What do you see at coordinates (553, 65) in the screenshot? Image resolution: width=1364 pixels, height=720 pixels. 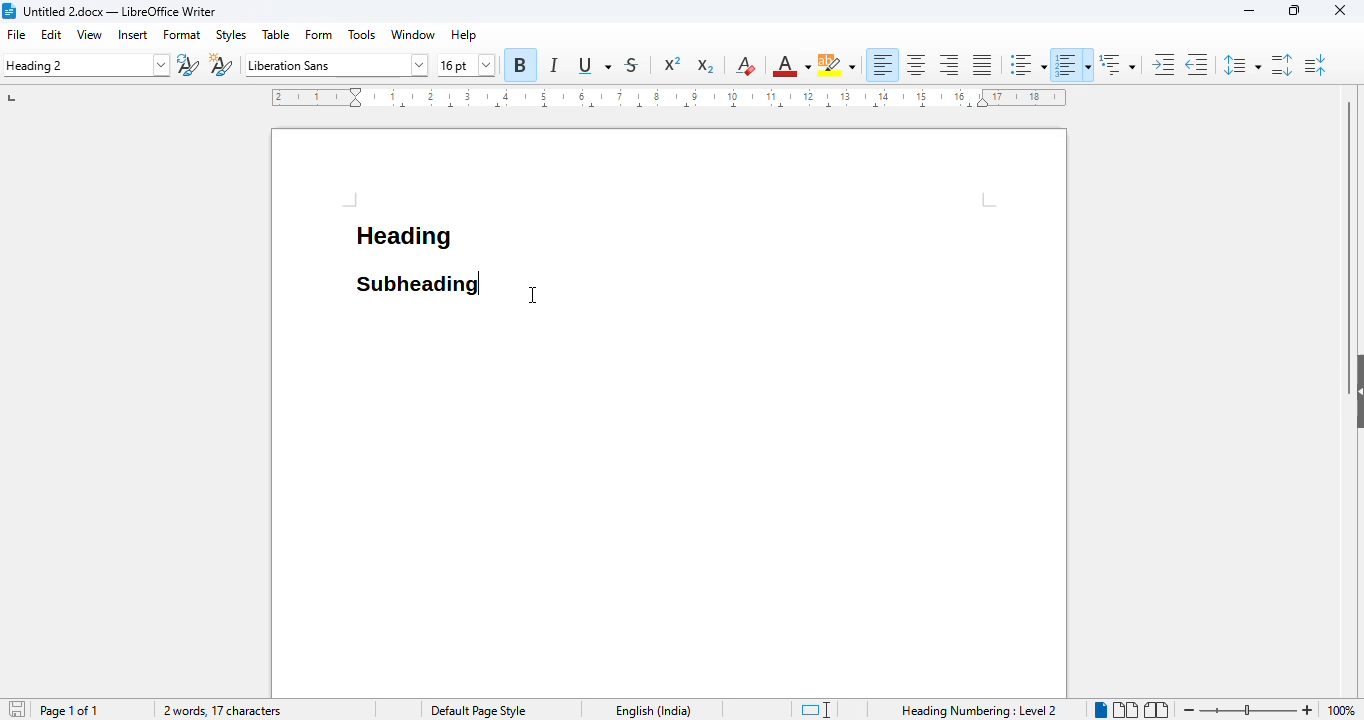 I see `italic` at bounding box center [553, 65].